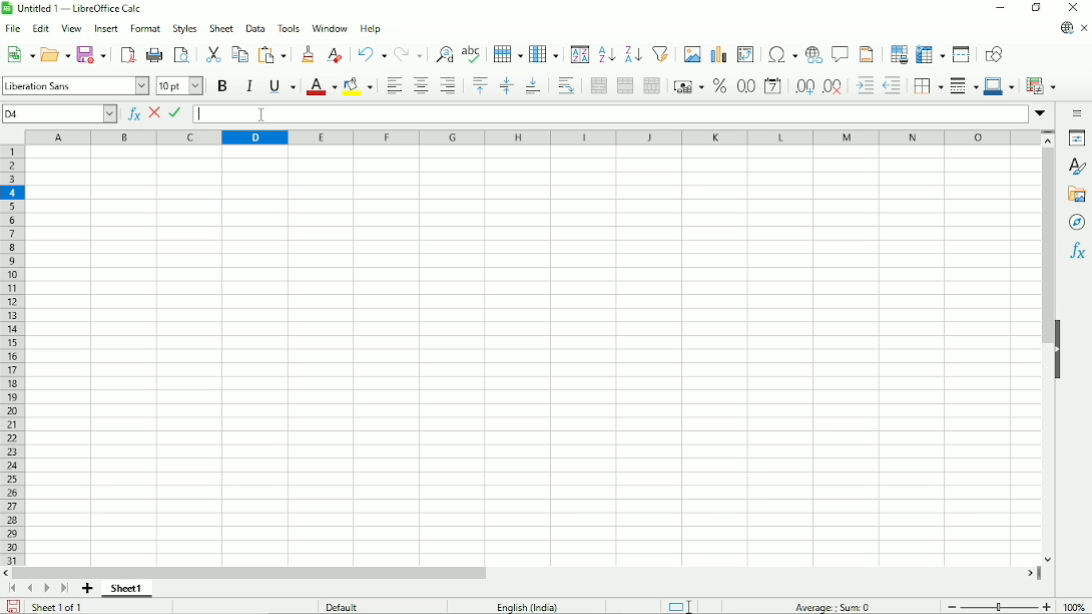 The image size is (1092, 614). I want to click on 100%, so click(1074, 607).